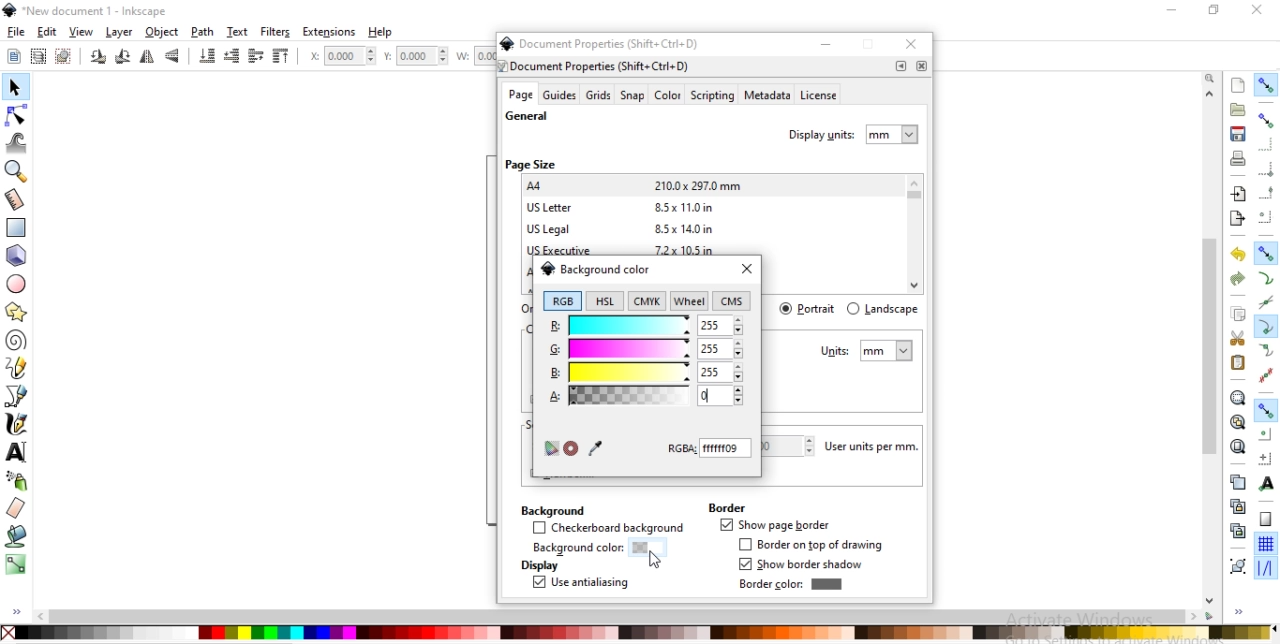 The image size is (1280, 644). What do you see at coordinates (726, 507) in the screenshot?
I see `border` at bounding box center [726, 507].